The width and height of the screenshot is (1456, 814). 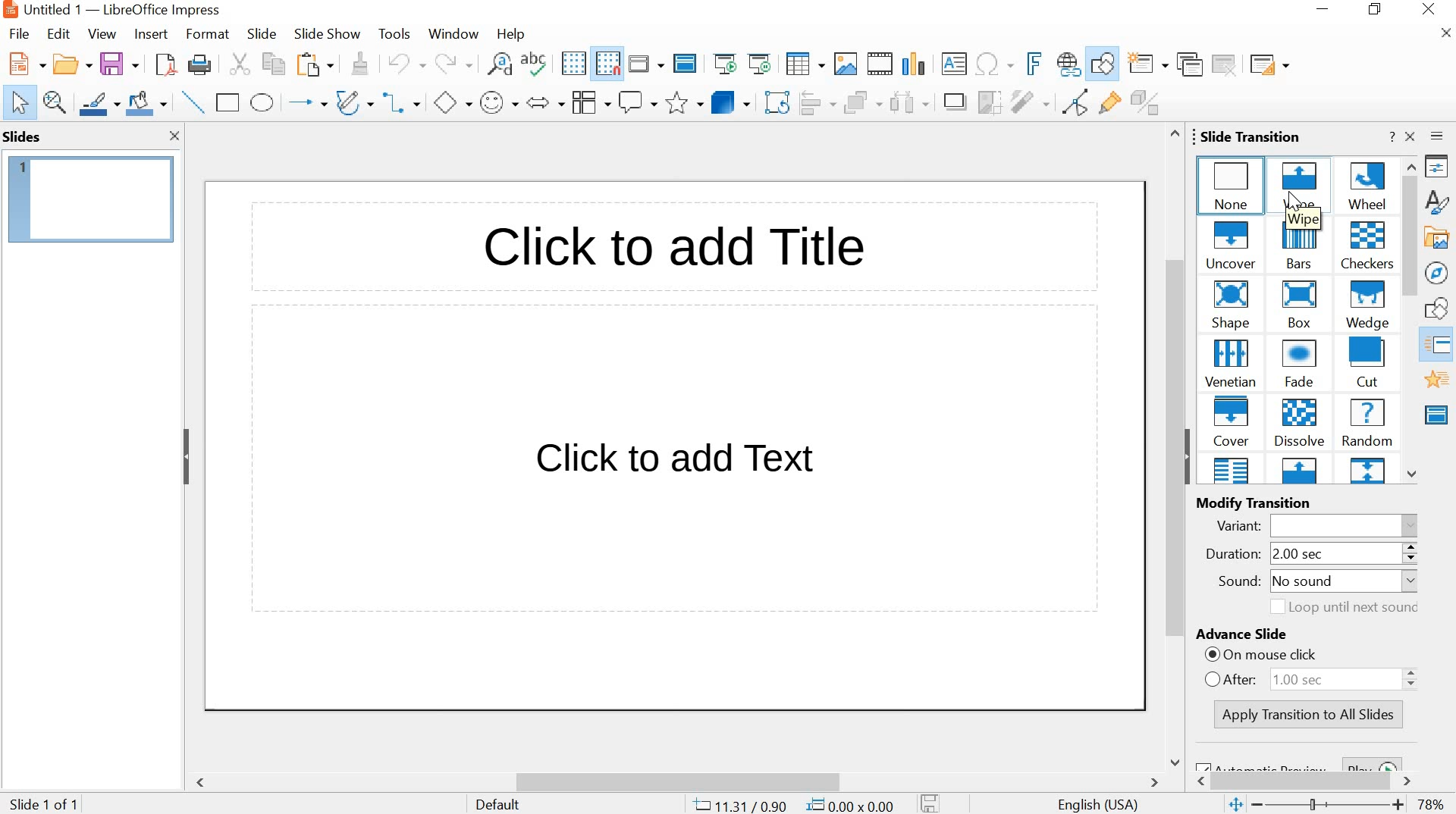 I want to click on Insert special characters, so click(x=996, y=64).